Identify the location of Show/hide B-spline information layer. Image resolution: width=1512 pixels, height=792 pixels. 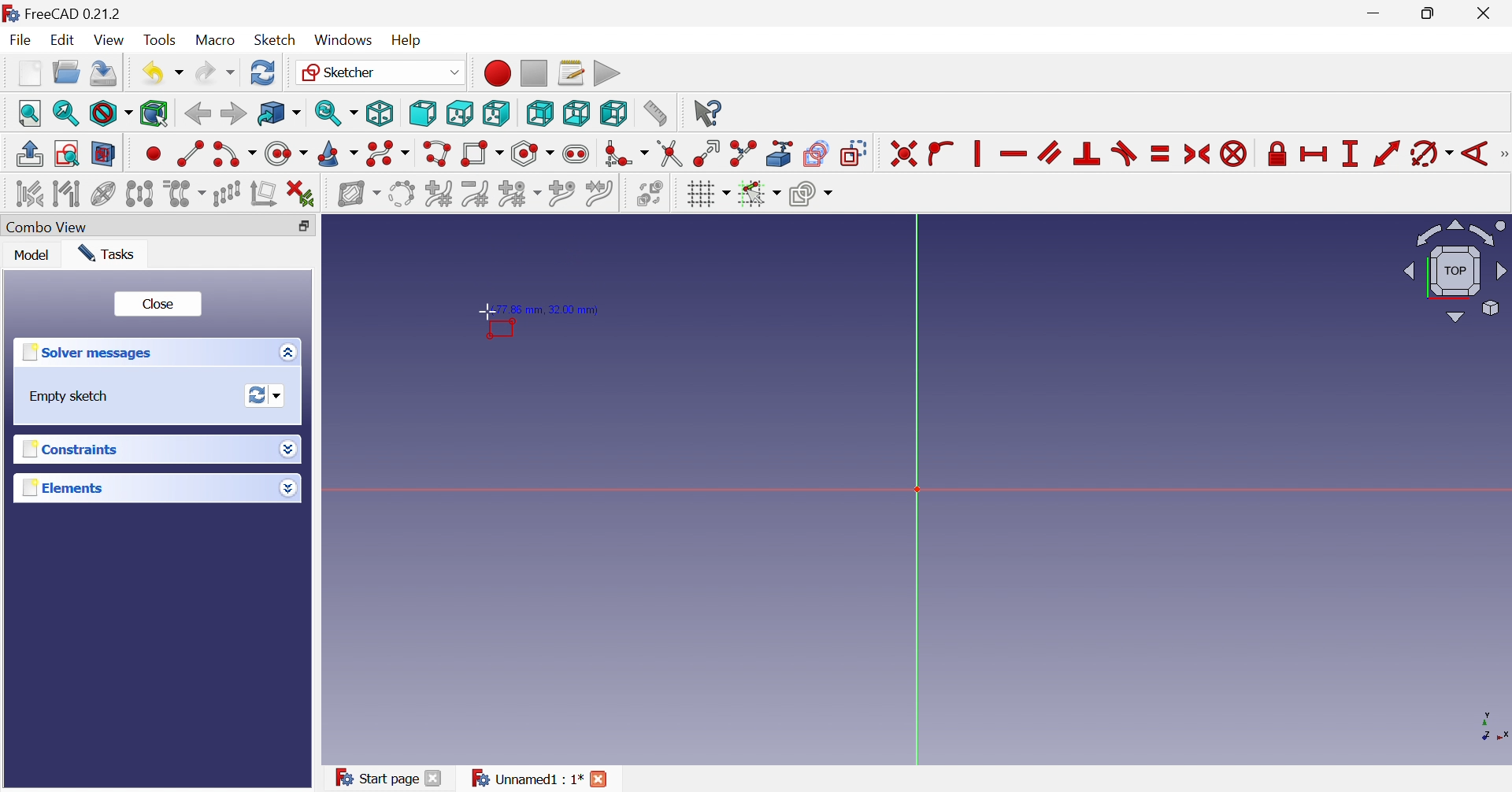
(359, 194).